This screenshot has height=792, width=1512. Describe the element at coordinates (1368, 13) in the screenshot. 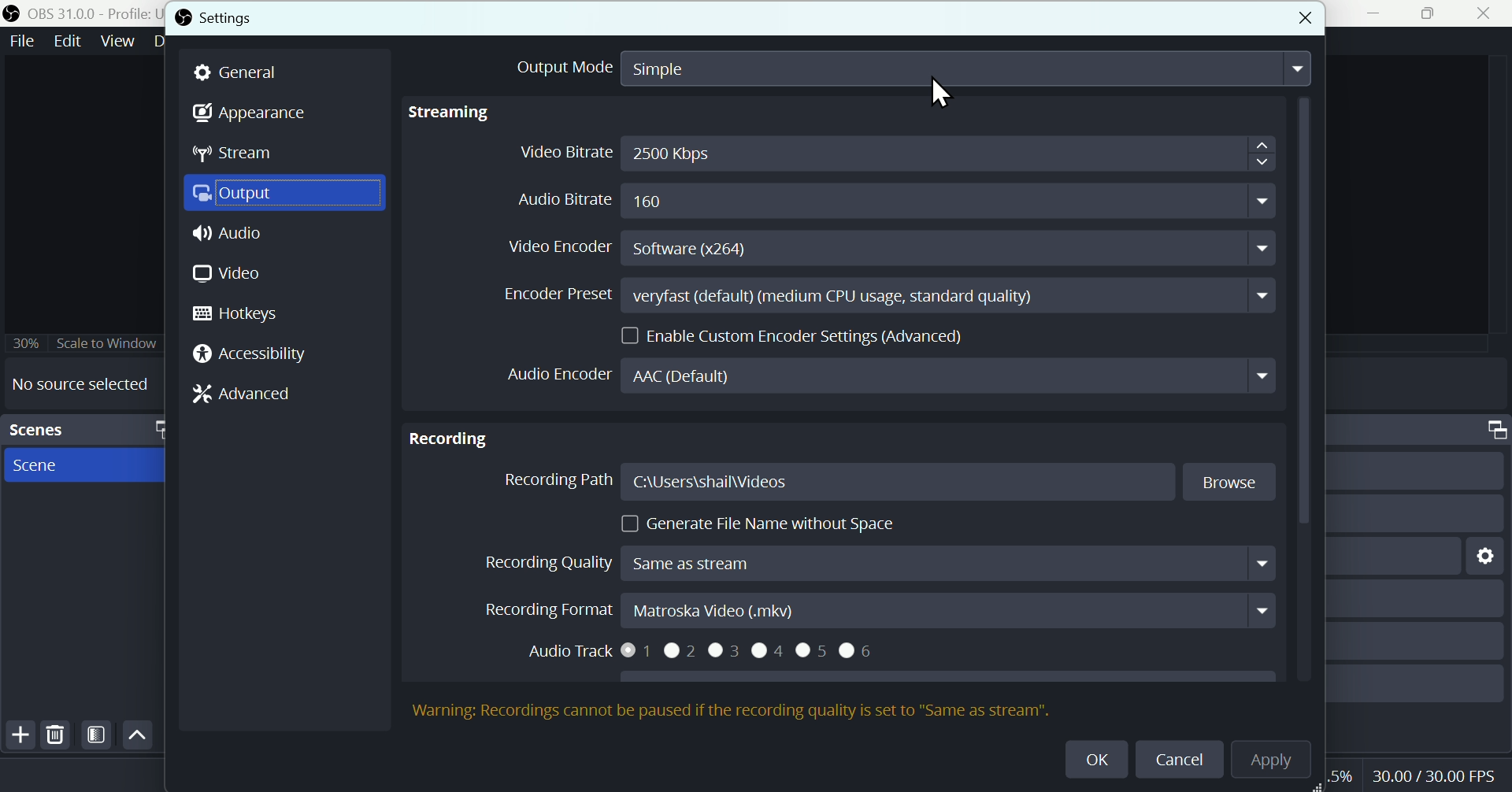

I see `minimise` at that location.